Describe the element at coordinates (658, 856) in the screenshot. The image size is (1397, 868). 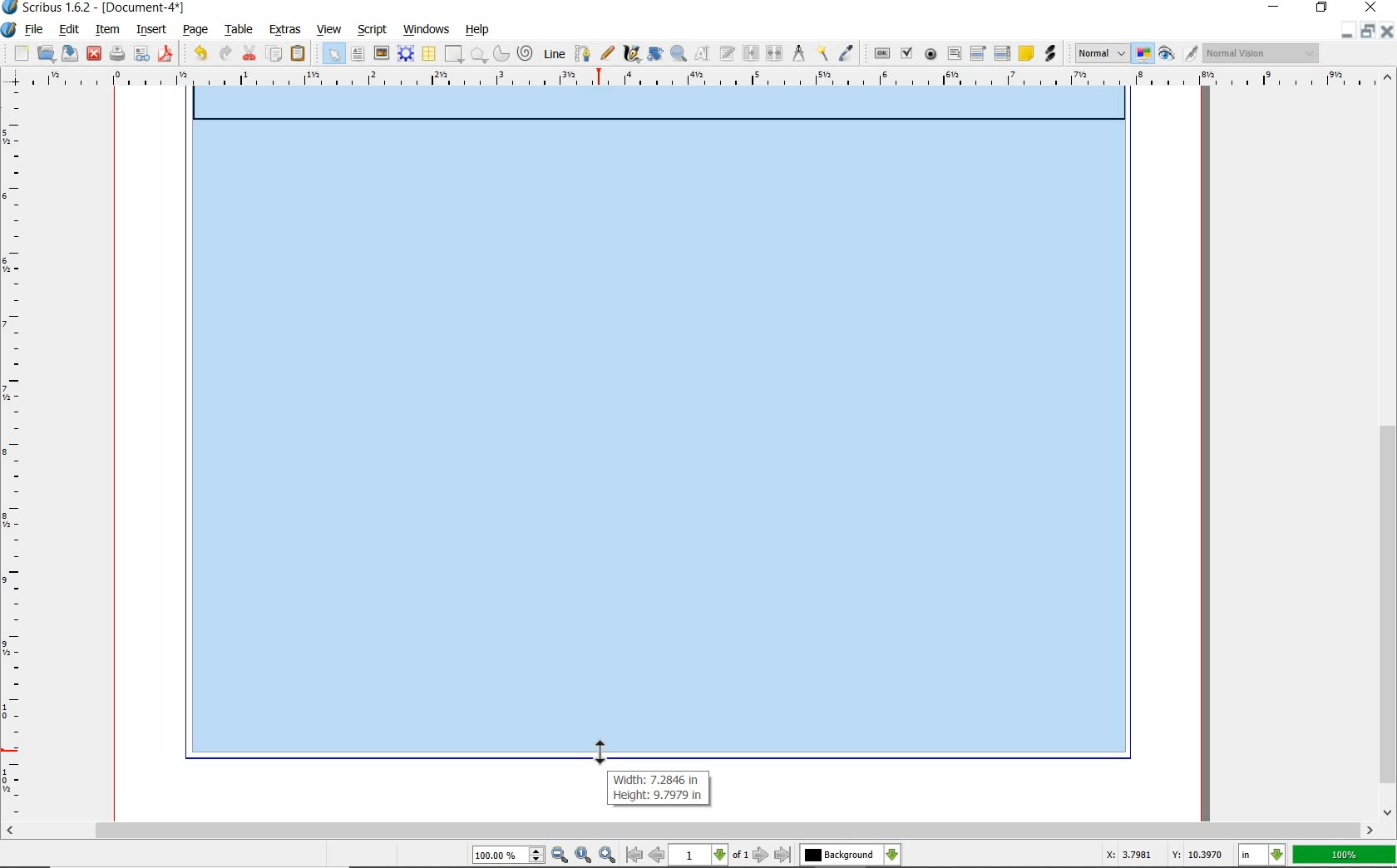
I see `go to previous page` at that location.